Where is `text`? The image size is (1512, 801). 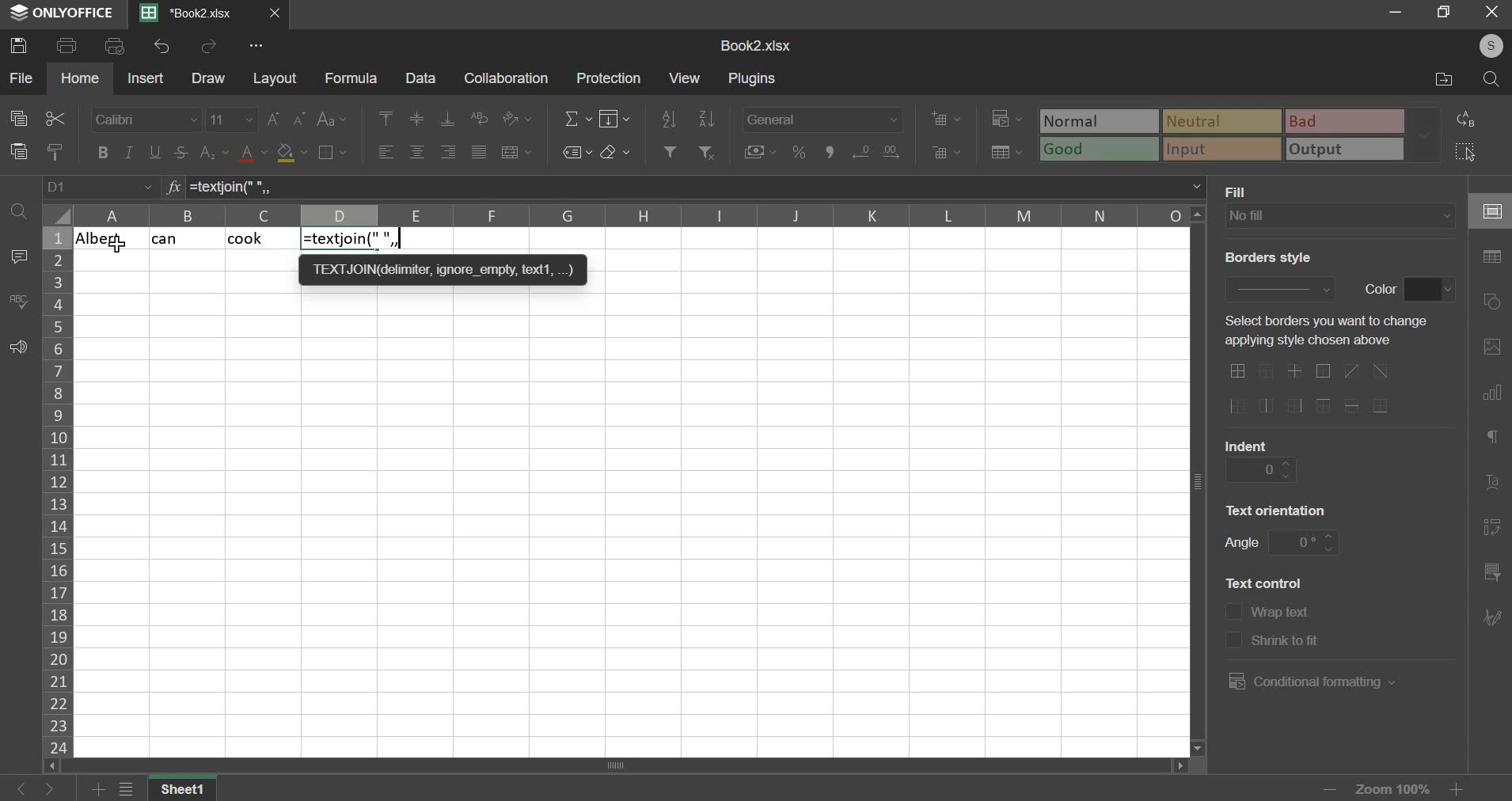
text is located at coordinates (1264, 582).